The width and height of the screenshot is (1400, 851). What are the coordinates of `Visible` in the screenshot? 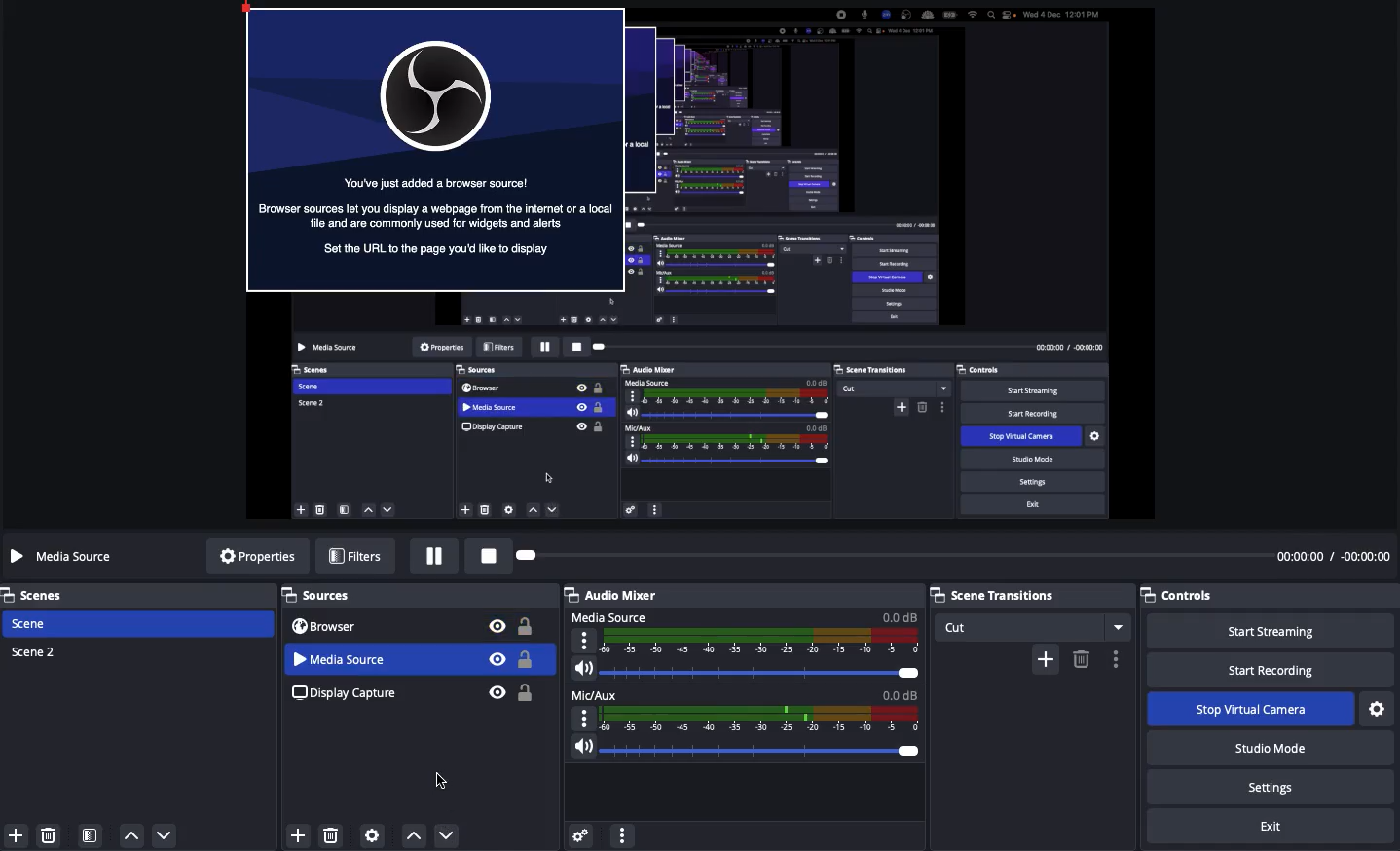 It's located at (496, 659).